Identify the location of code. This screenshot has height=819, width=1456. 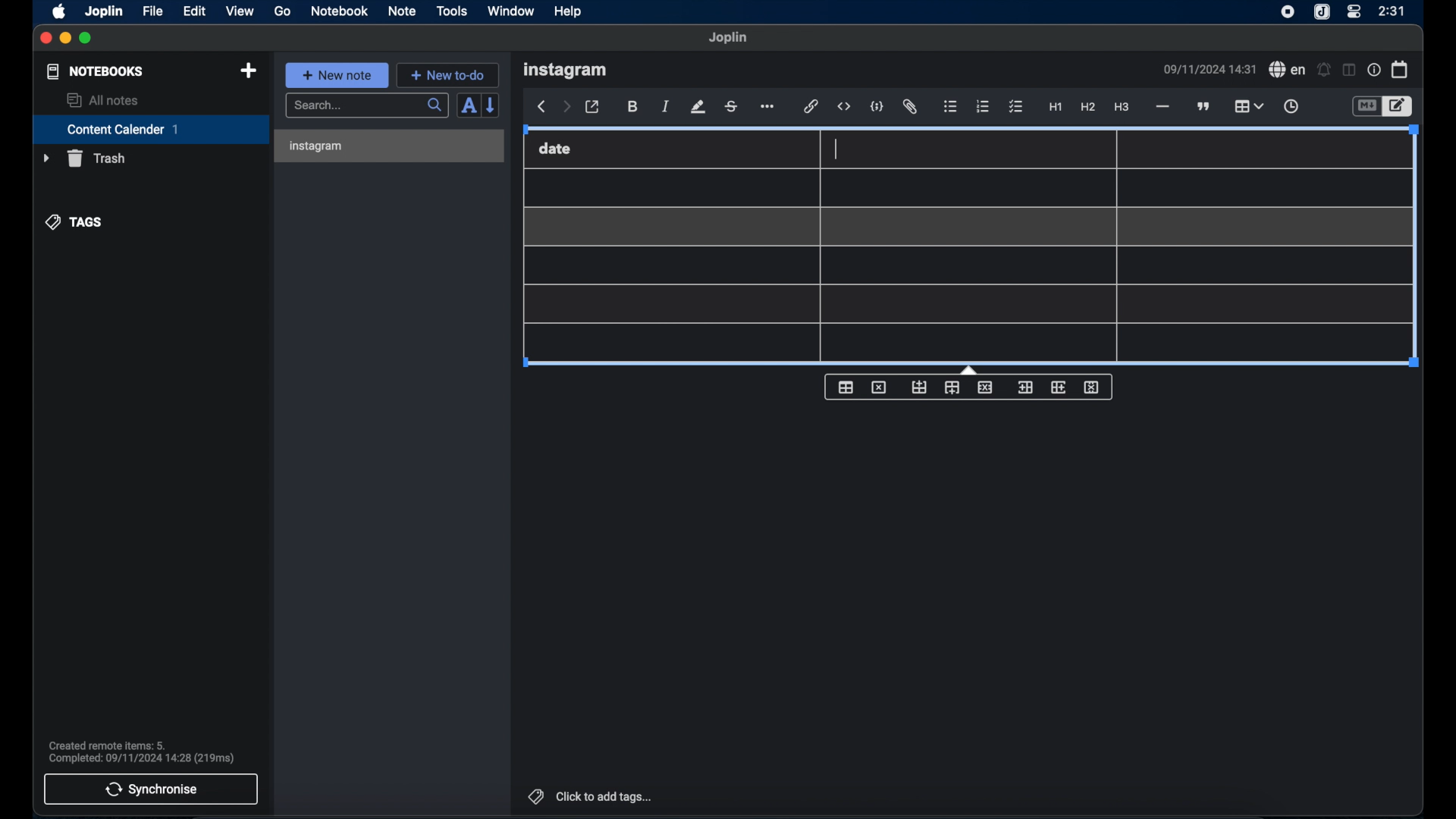
(876, 106).